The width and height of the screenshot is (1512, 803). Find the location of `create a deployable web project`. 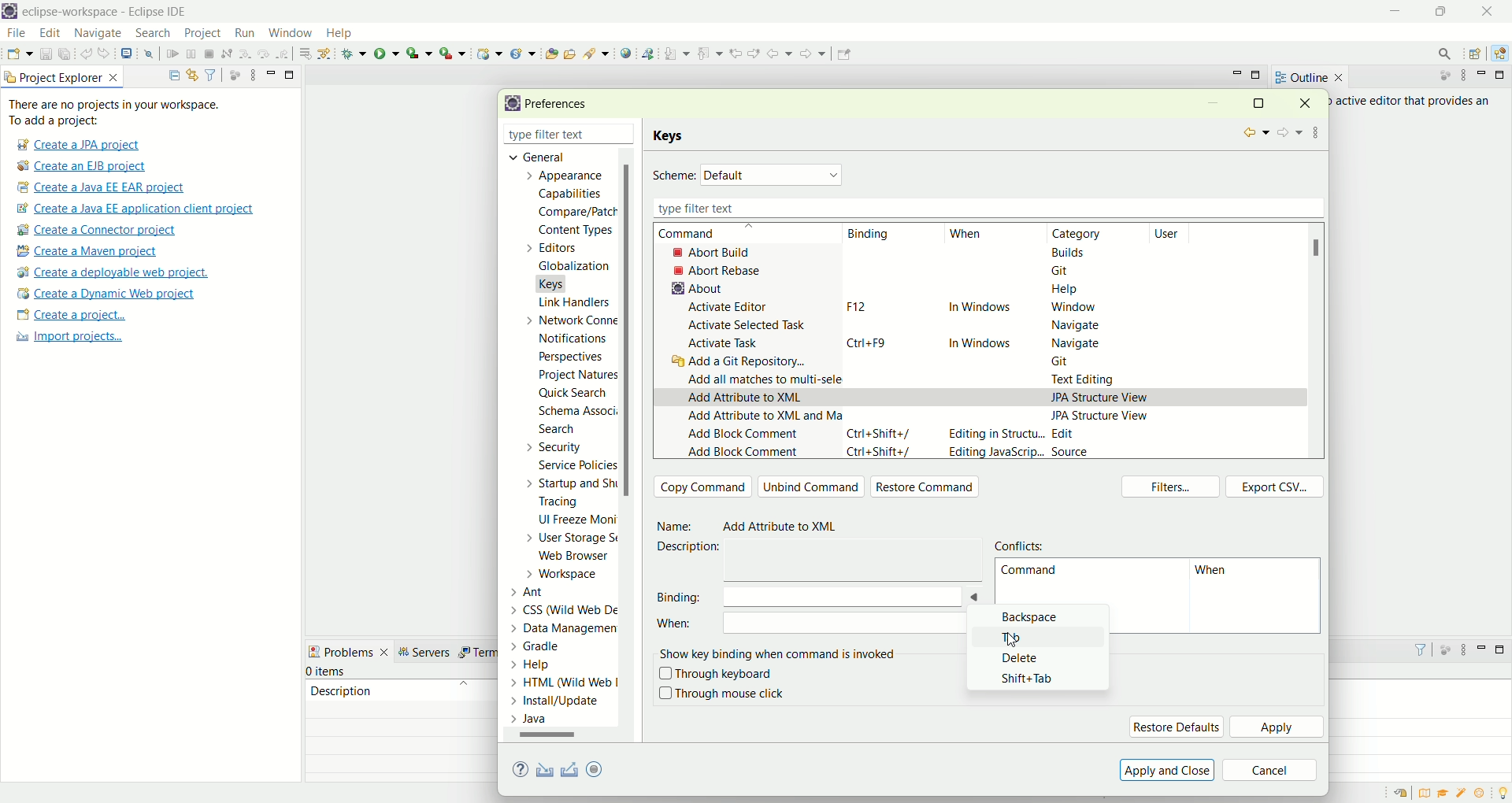

create a deployable web project is located at coordinates (113, 273).